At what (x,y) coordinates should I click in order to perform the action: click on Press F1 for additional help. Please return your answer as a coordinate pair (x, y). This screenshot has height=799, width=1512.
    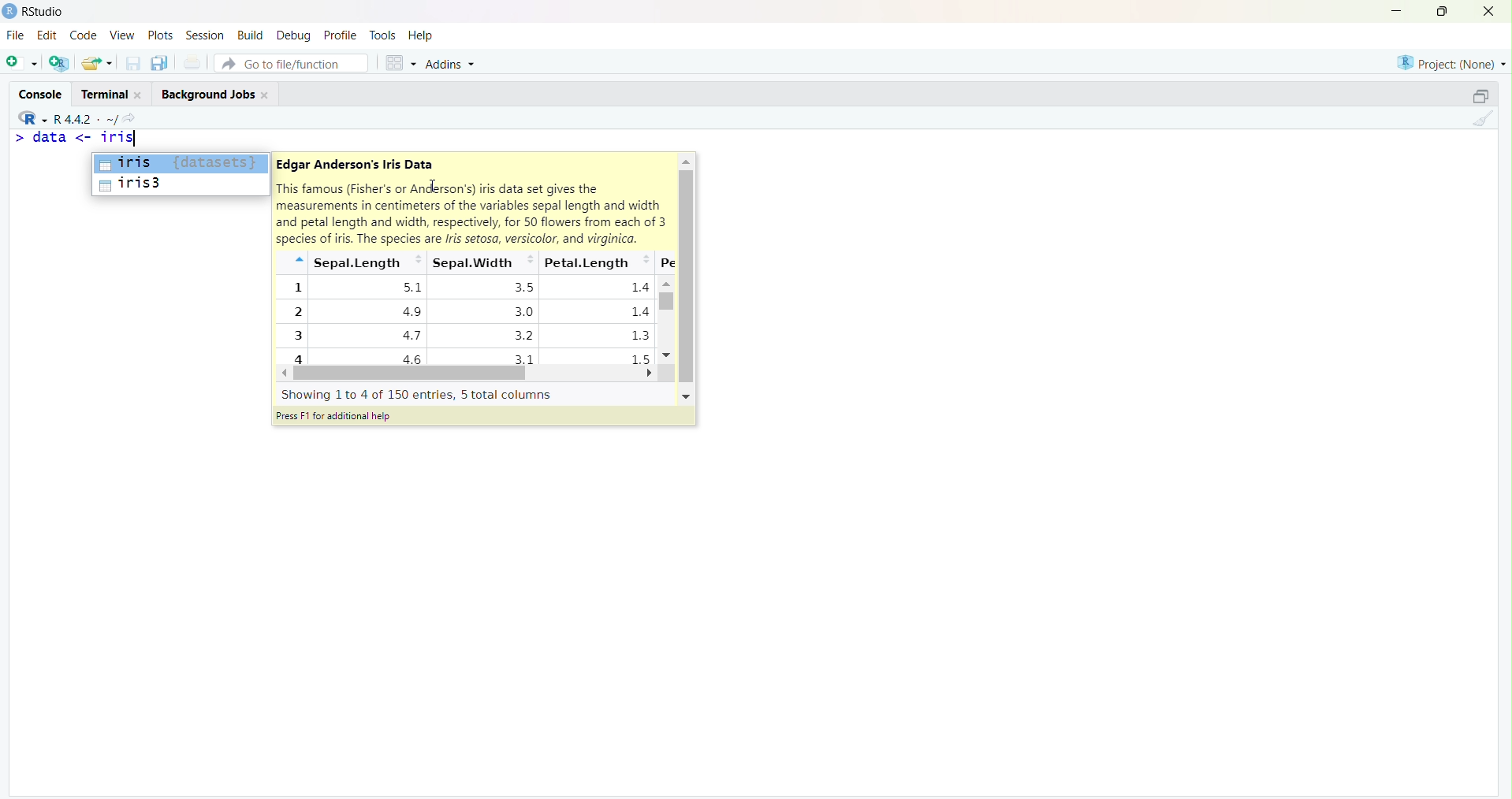
    Looking at the image, I should click on (336, 418).